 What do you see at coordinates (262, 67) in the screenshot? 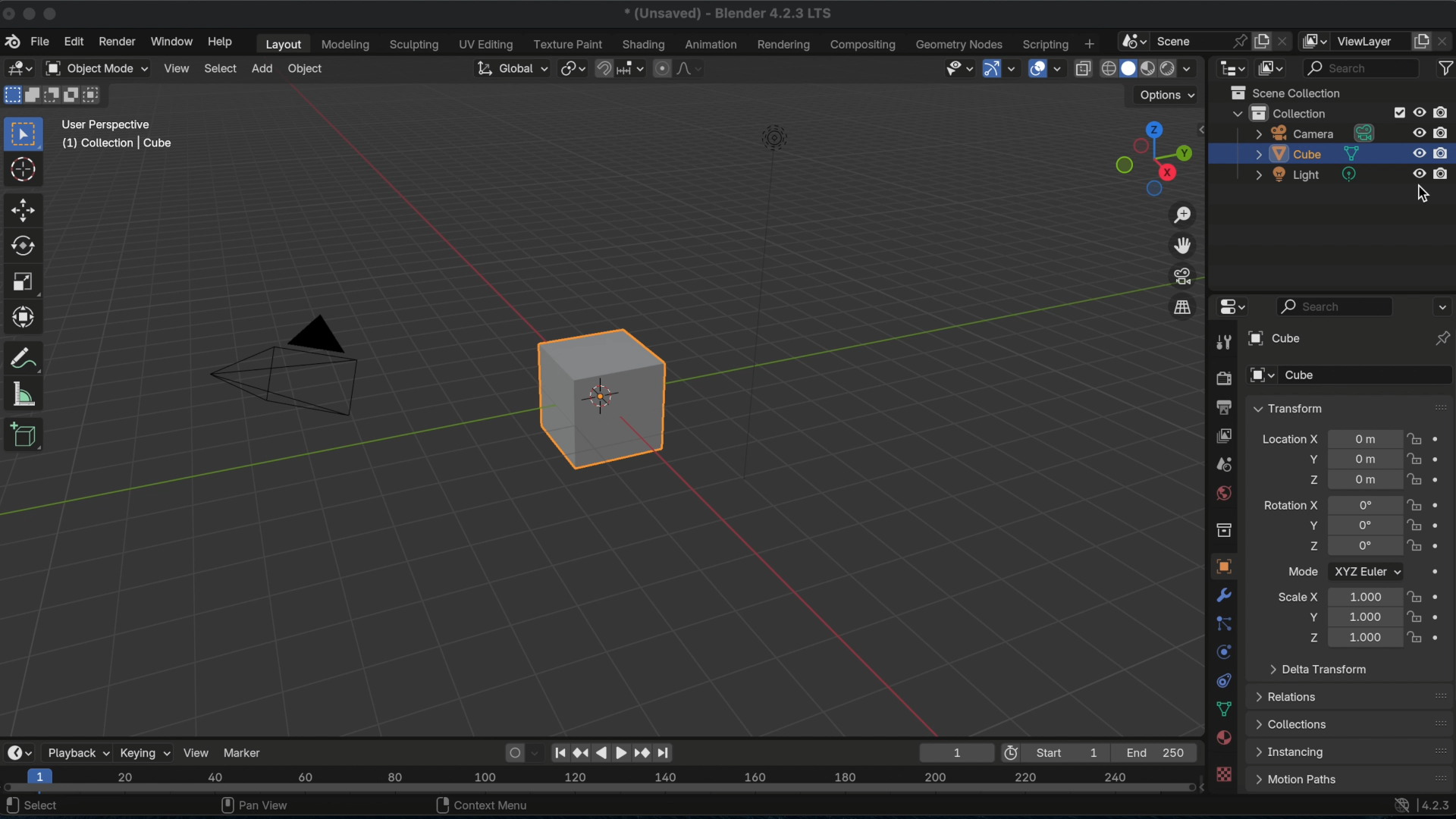
I see `add` at bounding box center [262, 67].